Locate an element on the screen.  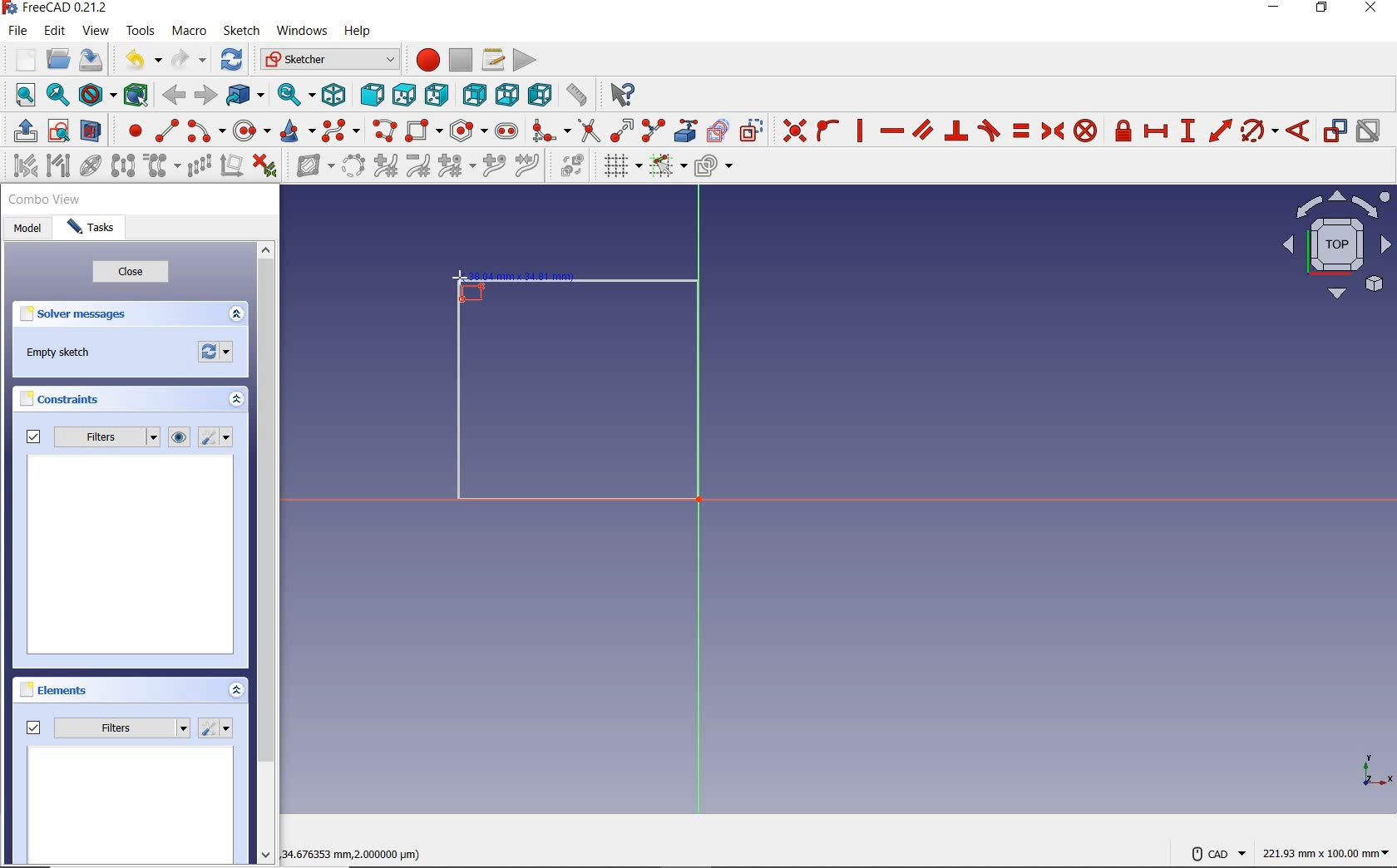
constrain distance is located at coordinates (1219, 131).